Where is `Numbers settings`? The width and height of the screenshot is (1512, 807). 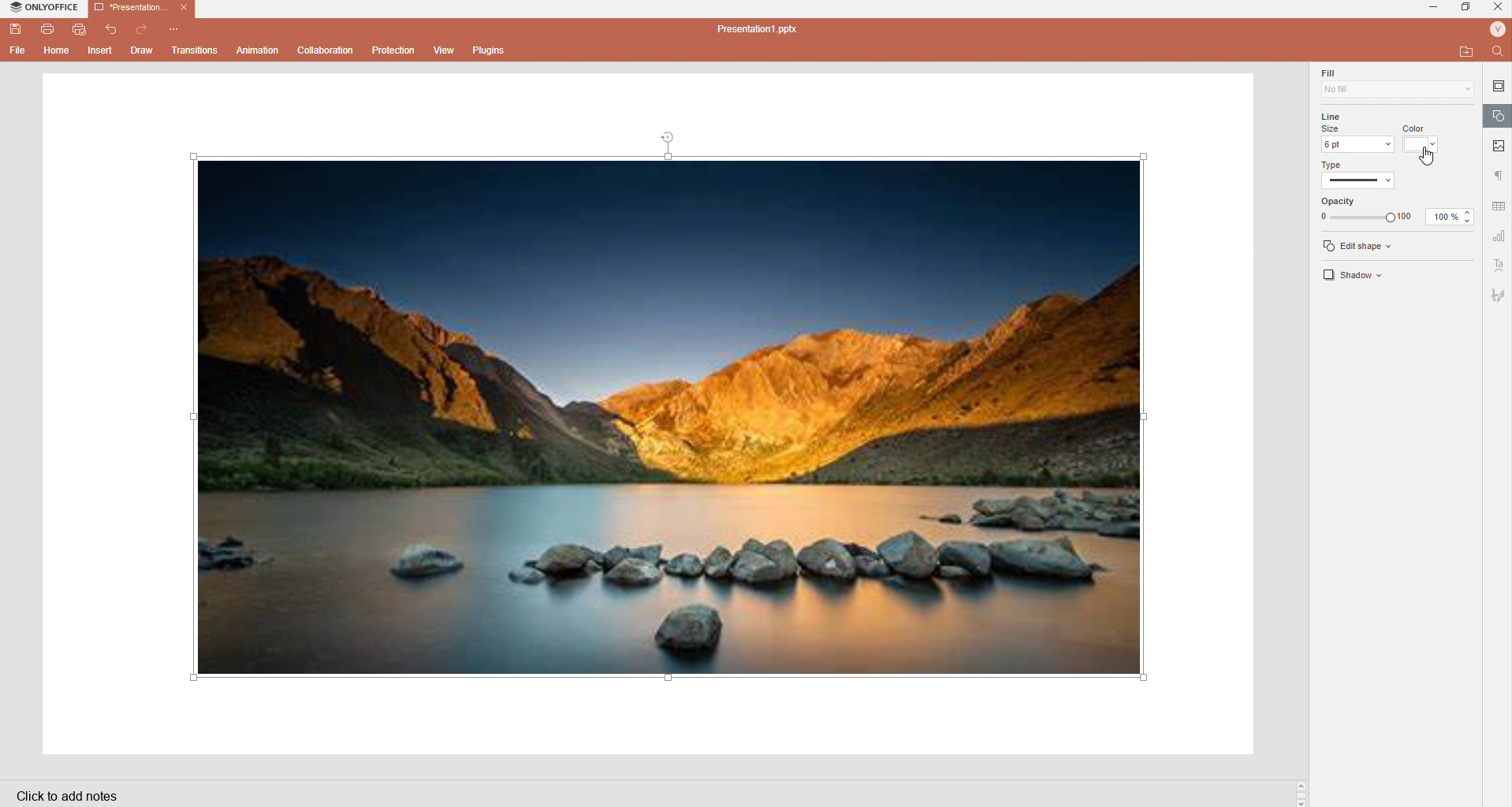
Numbers settings is located at coordinates (1499, 235).